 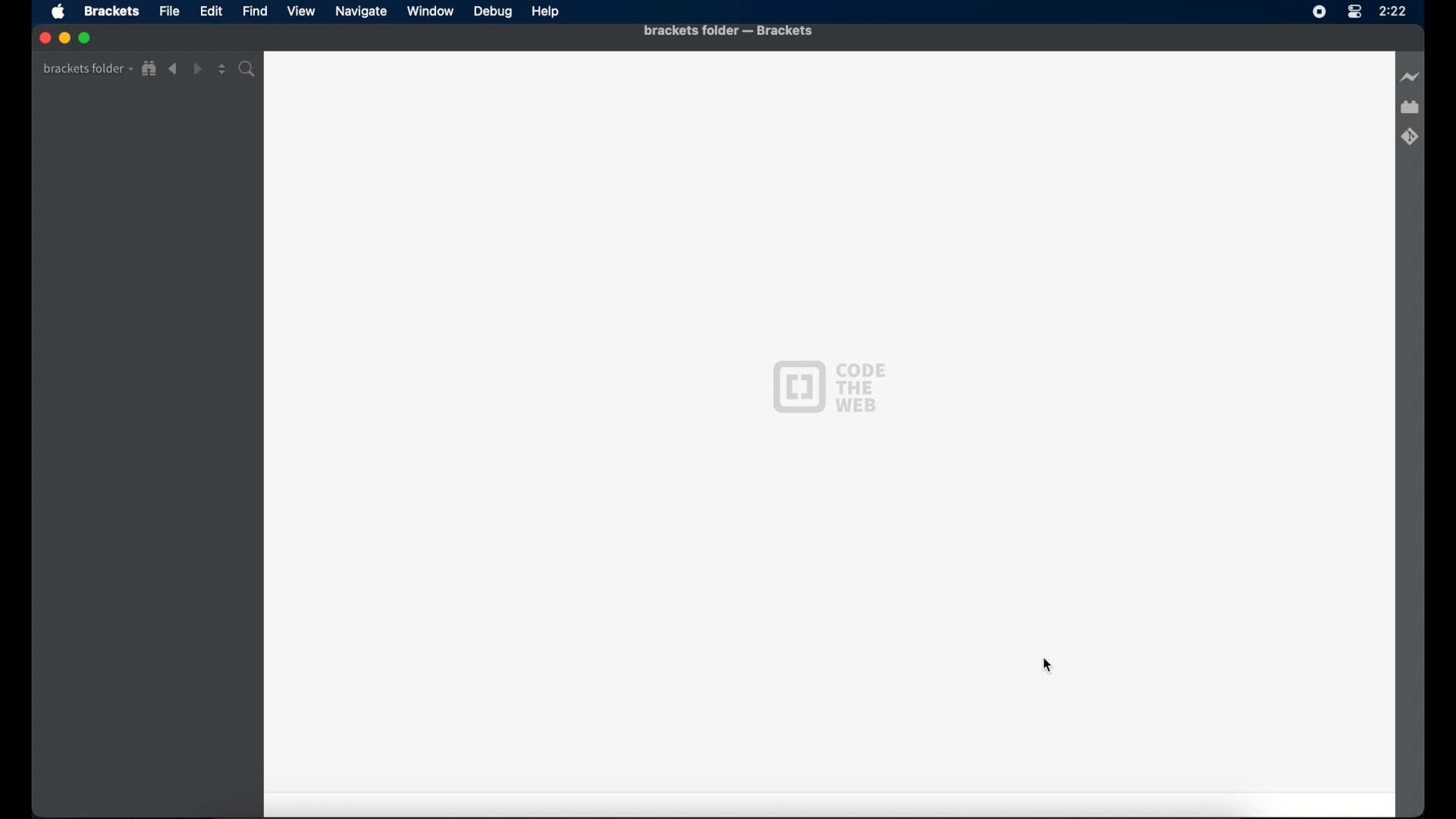 I want to click on file, so click(x=170, y=11).